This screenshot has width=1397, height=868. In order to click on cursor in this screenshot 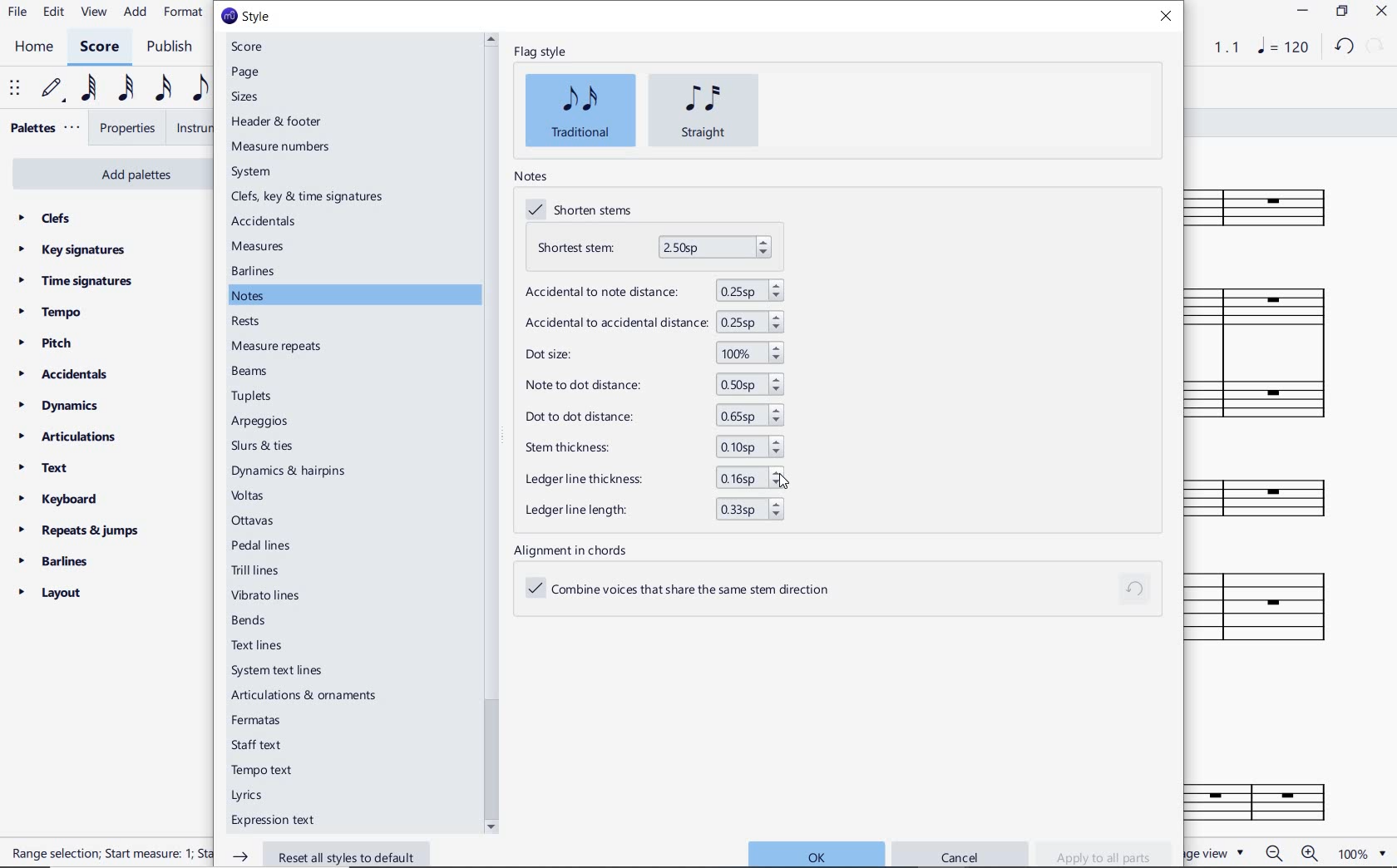, I will do `click(789, 481)`.